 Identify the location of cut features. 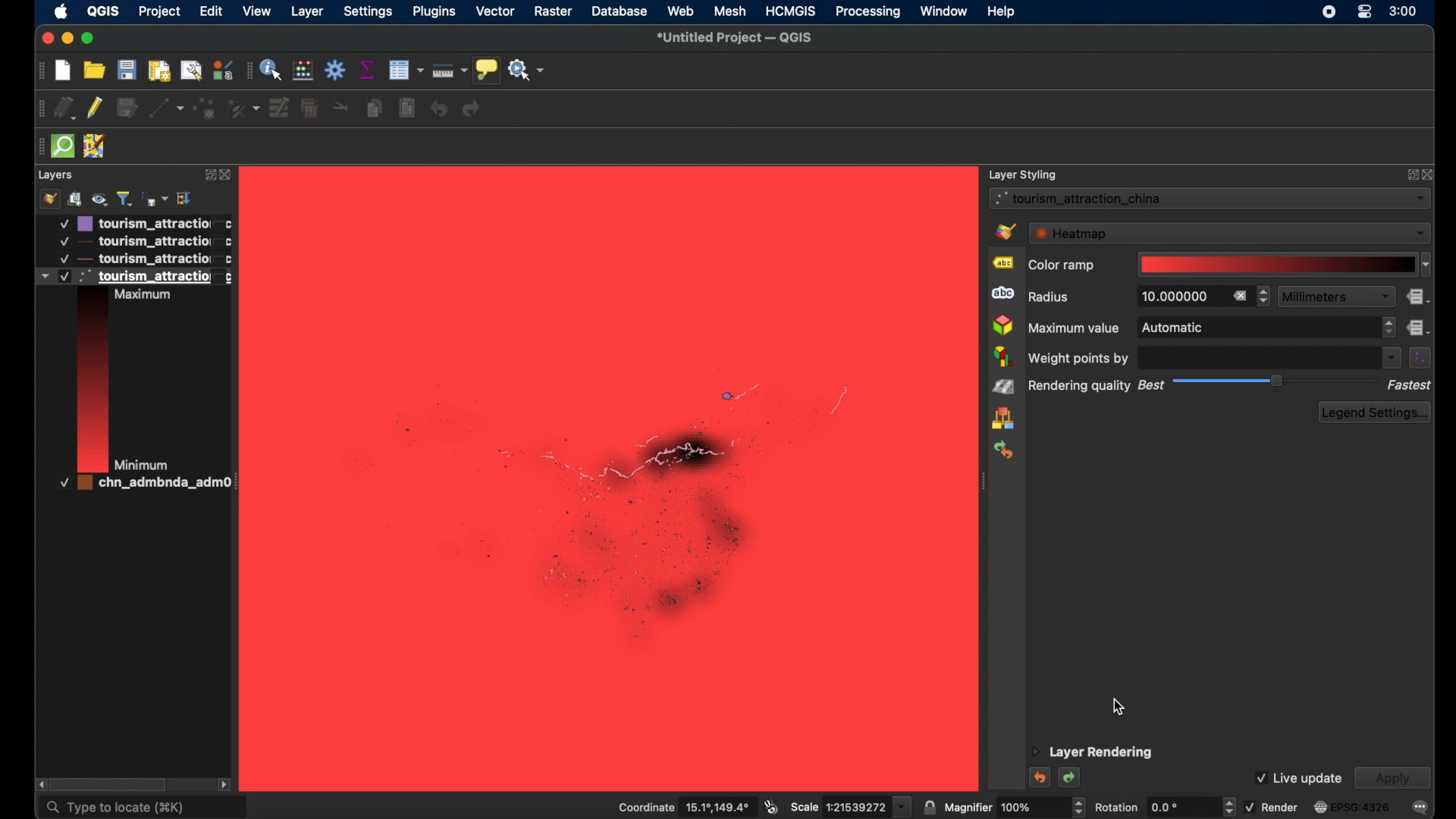
(340, 108).